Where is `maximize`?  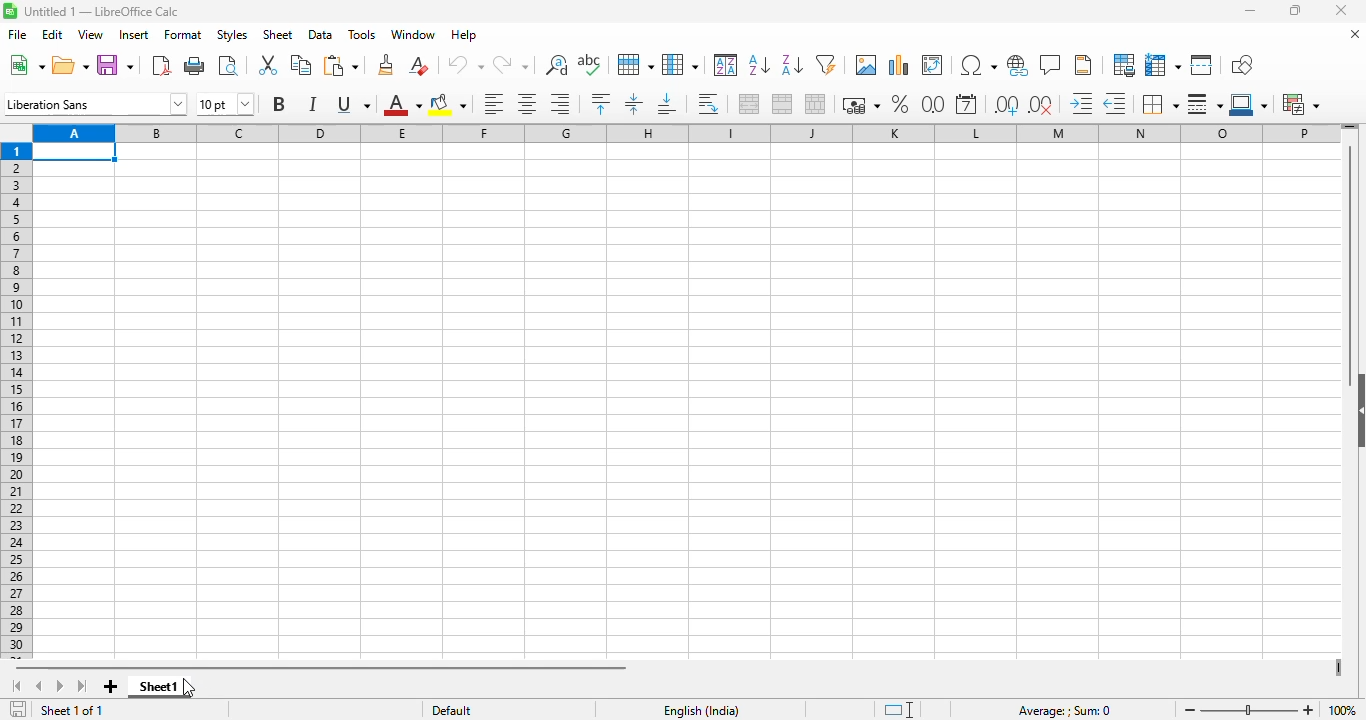
maximize is located at coordinates (1294, 10).